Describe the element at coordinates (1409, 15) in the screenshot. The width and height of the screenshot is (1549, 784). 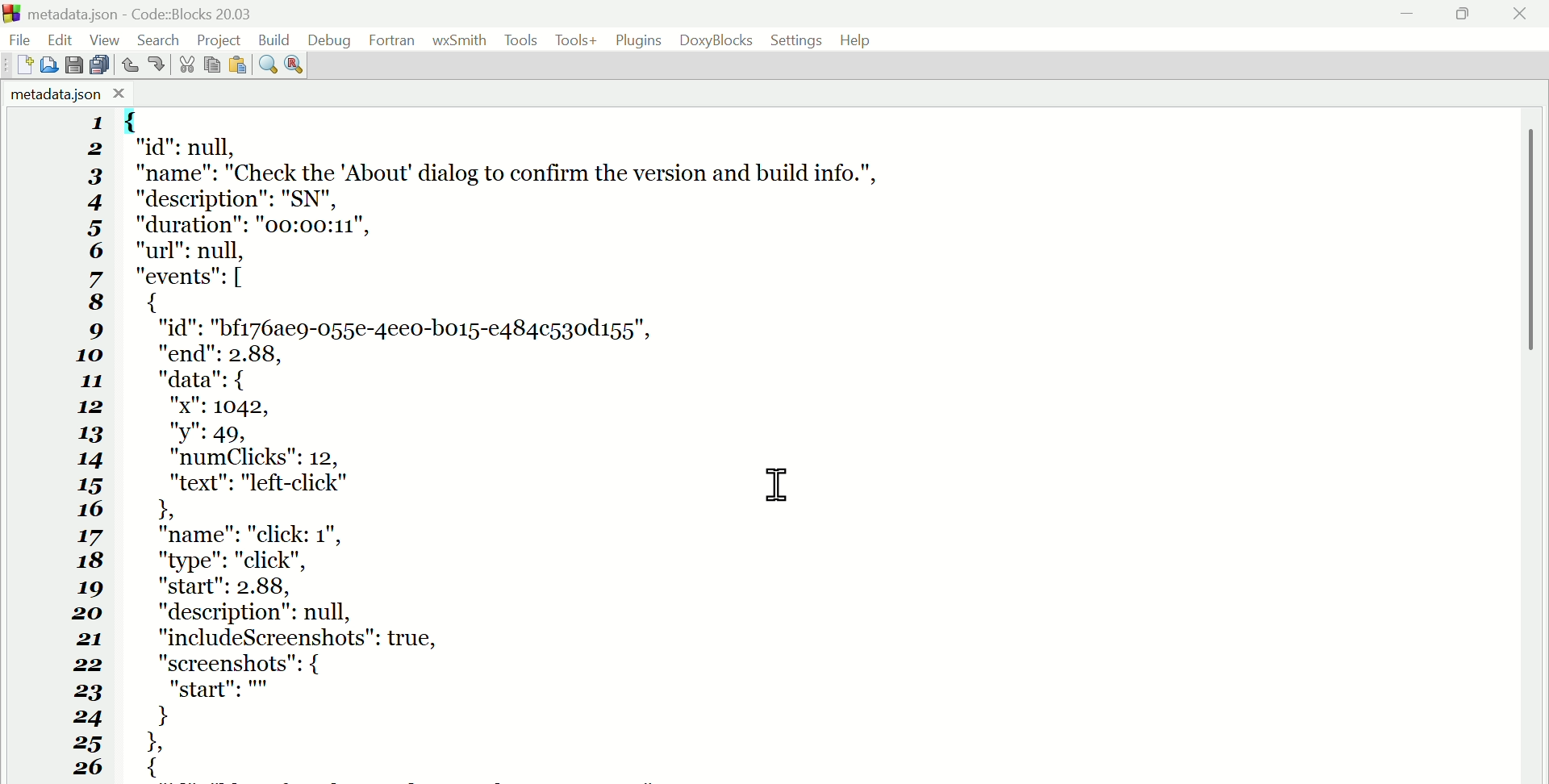
I see `minimise` at that location.